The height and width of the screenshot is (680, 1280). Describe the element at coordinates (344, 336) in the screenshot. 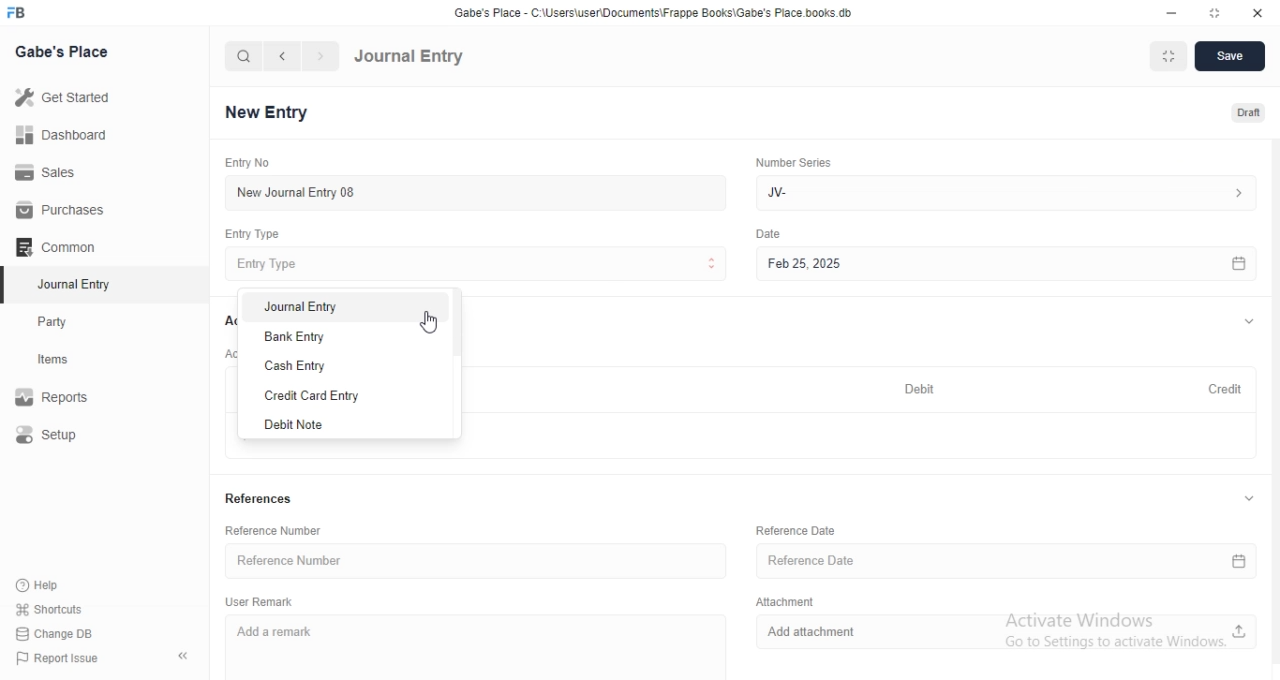

I see `Bank Entry` at that location.